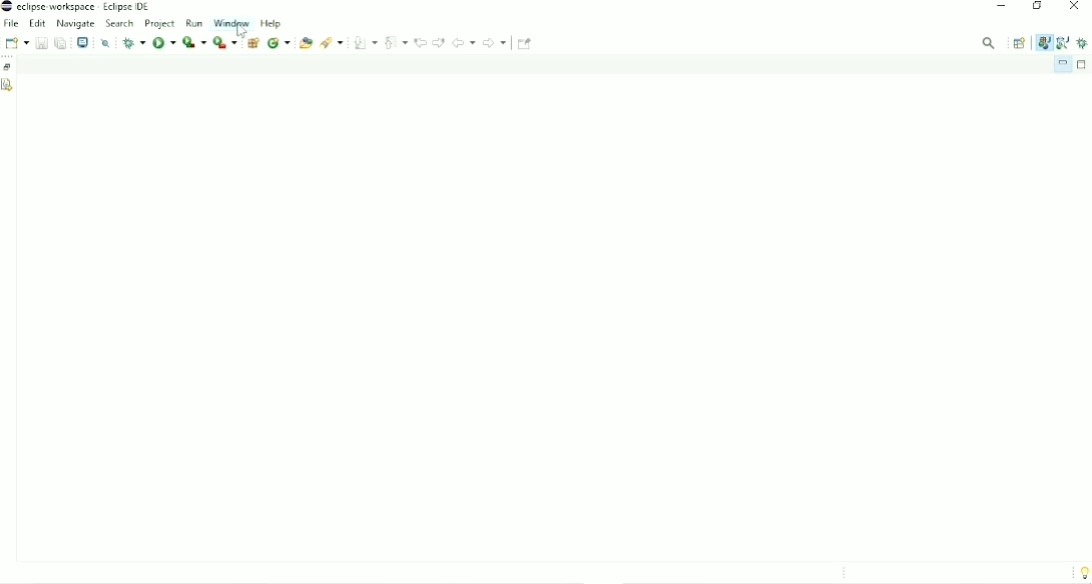 The height and width of the screenshot is (584, 1092). Describe the element at coordinates (988, 42) in the screenshot. I see `Access commands and other items` at that location.